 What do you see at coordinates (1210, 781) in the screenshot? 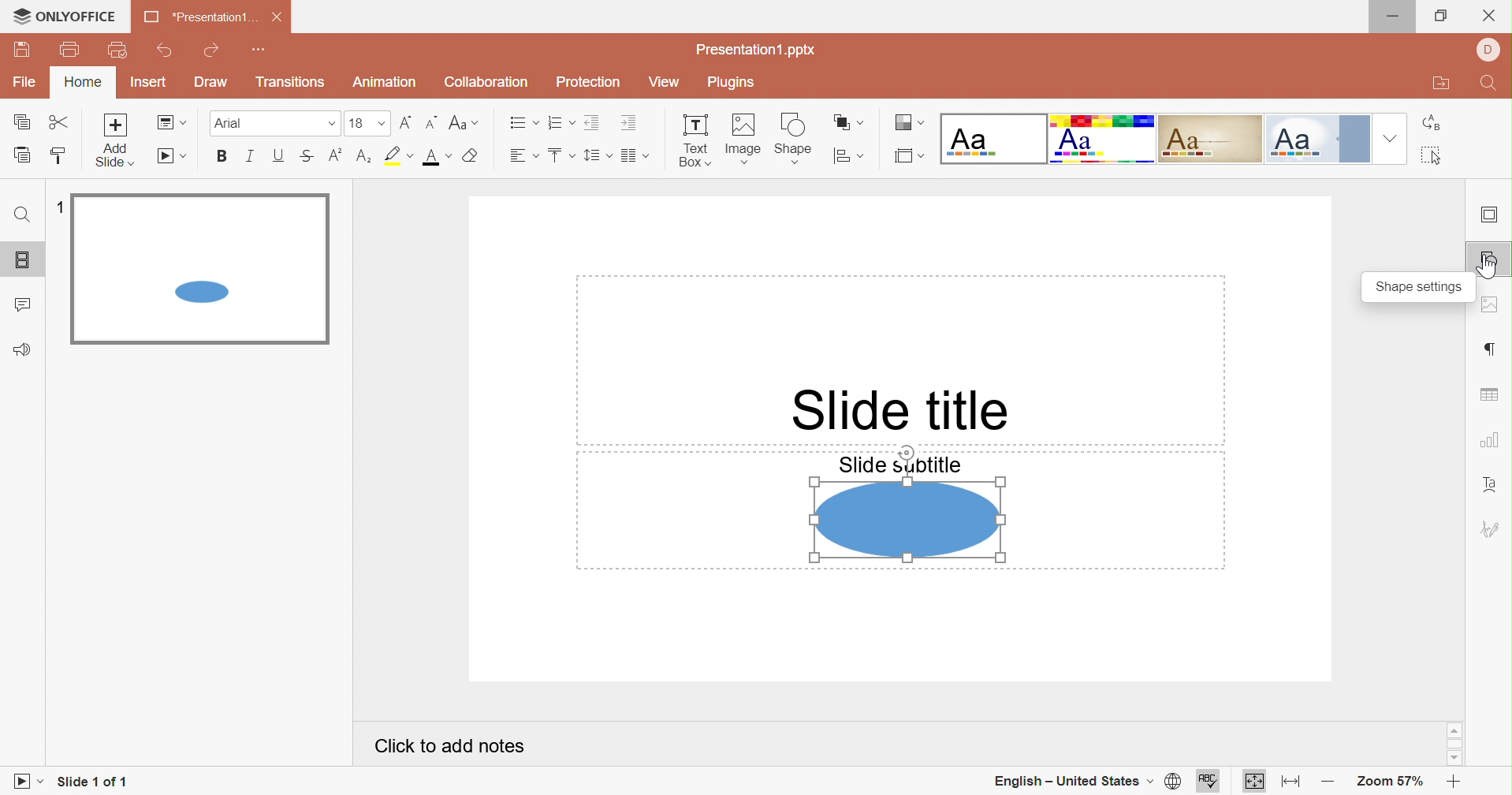
I see `Spell checking` at bounding box center [1210, 781].